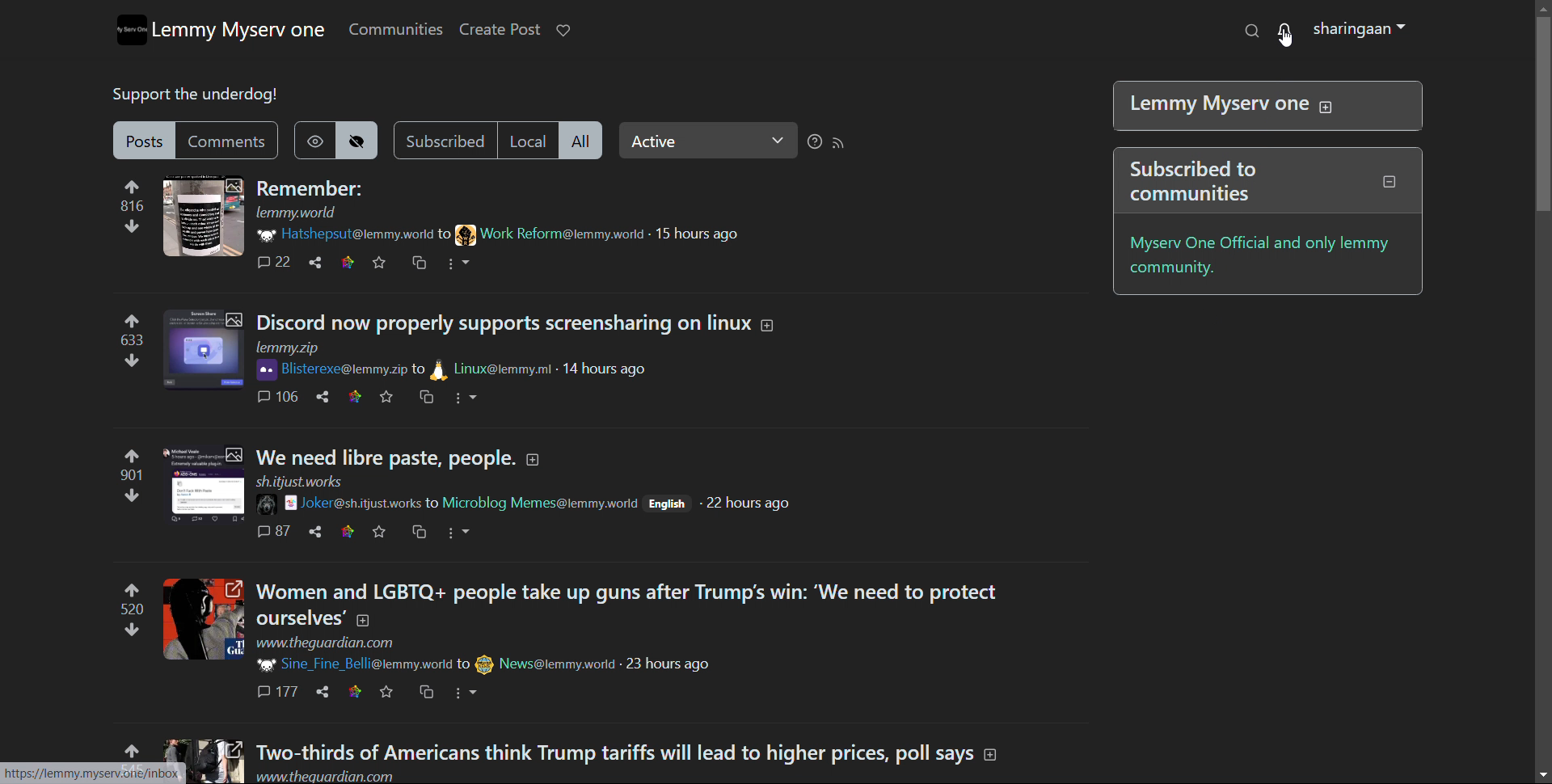 Image resolution: width=1552 pixels, height=784 pixels. I want to click on Expand here, so click(204, 747).